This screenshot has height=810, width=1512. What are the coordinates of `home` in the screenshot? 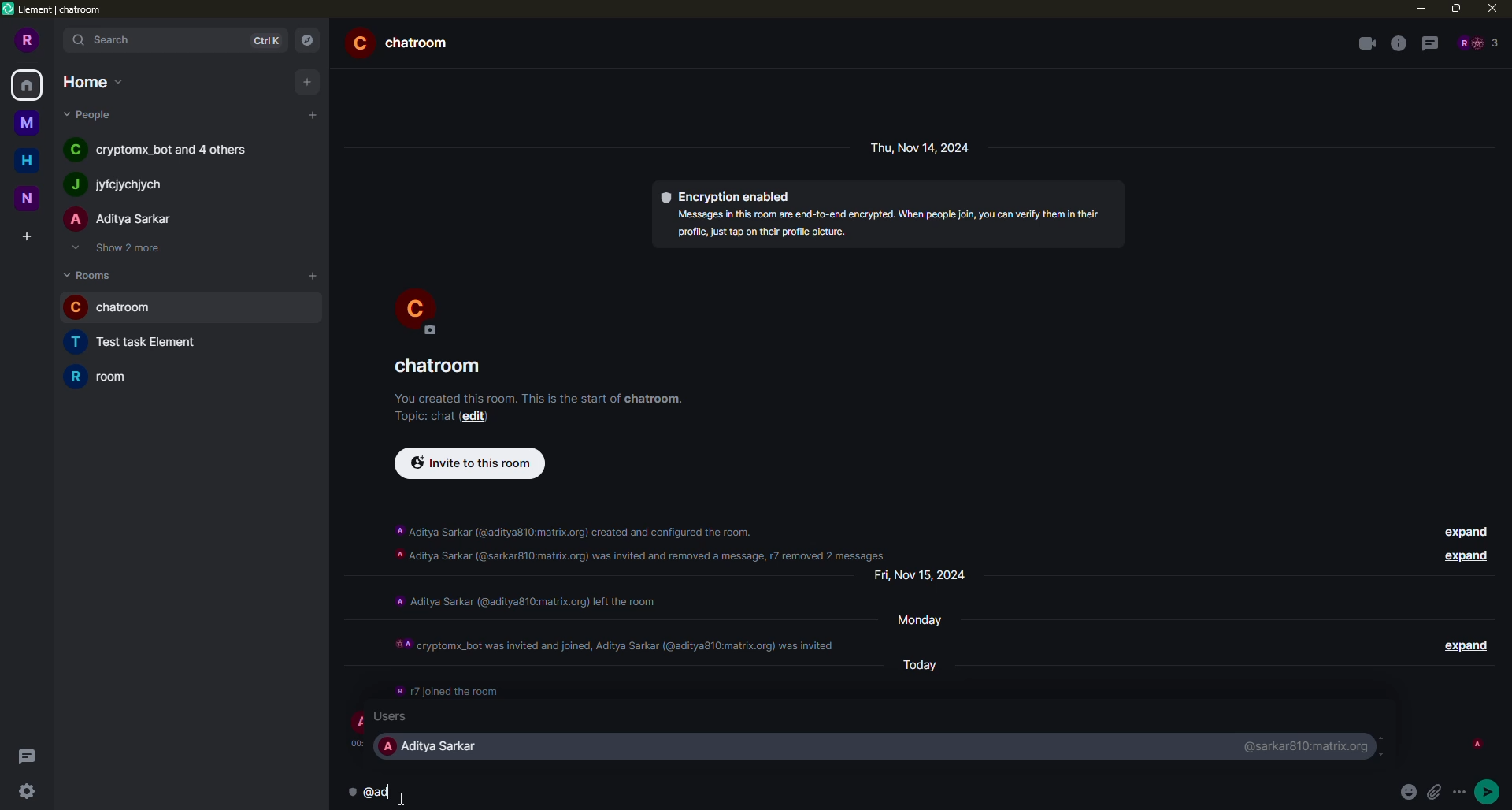 It's located at (28, 84).